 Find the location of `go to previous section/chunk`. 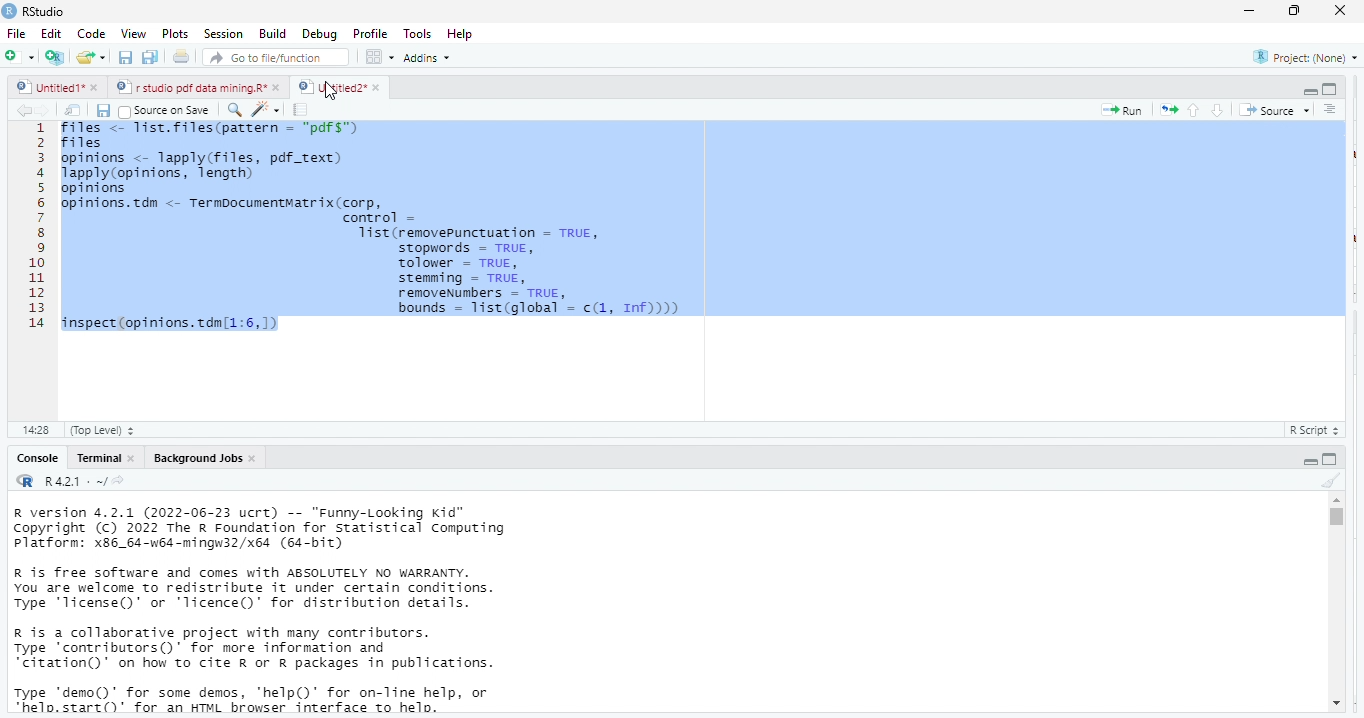

go to previous section/chunk is located at coordinates (1192, 110).